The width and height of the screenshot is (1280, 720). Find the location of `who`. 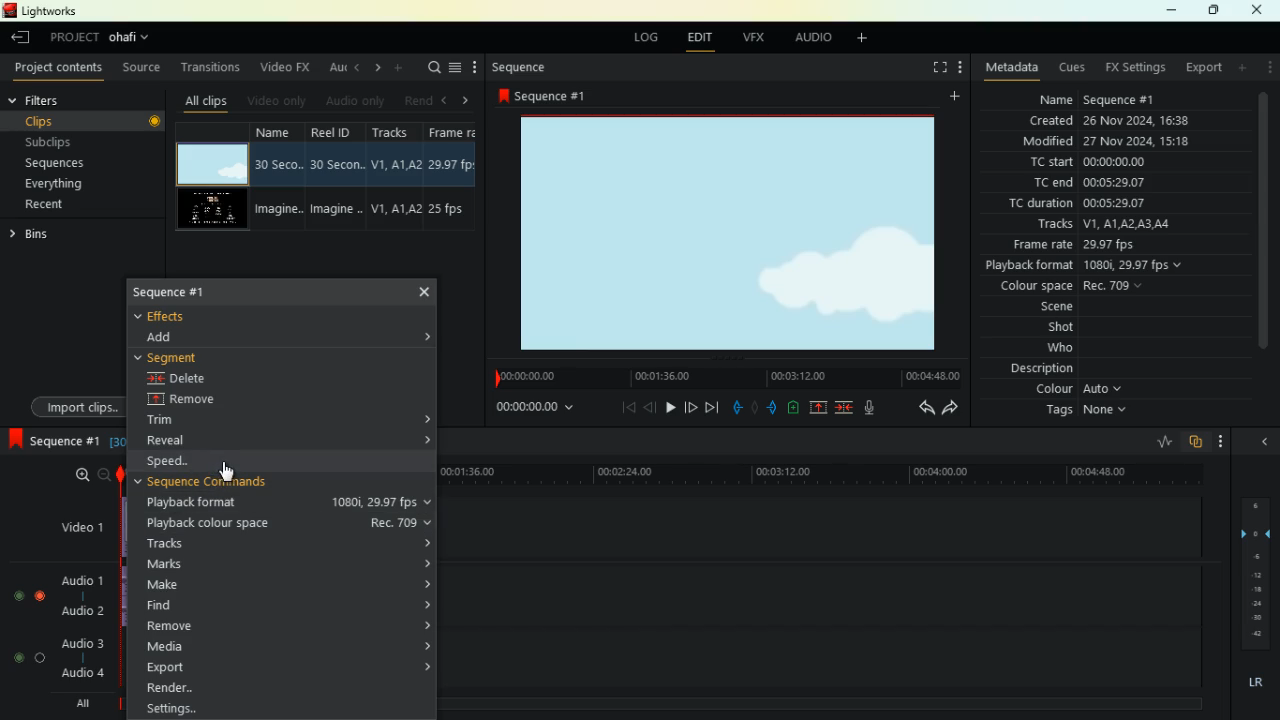

who is located at coordinates (1048, 349).